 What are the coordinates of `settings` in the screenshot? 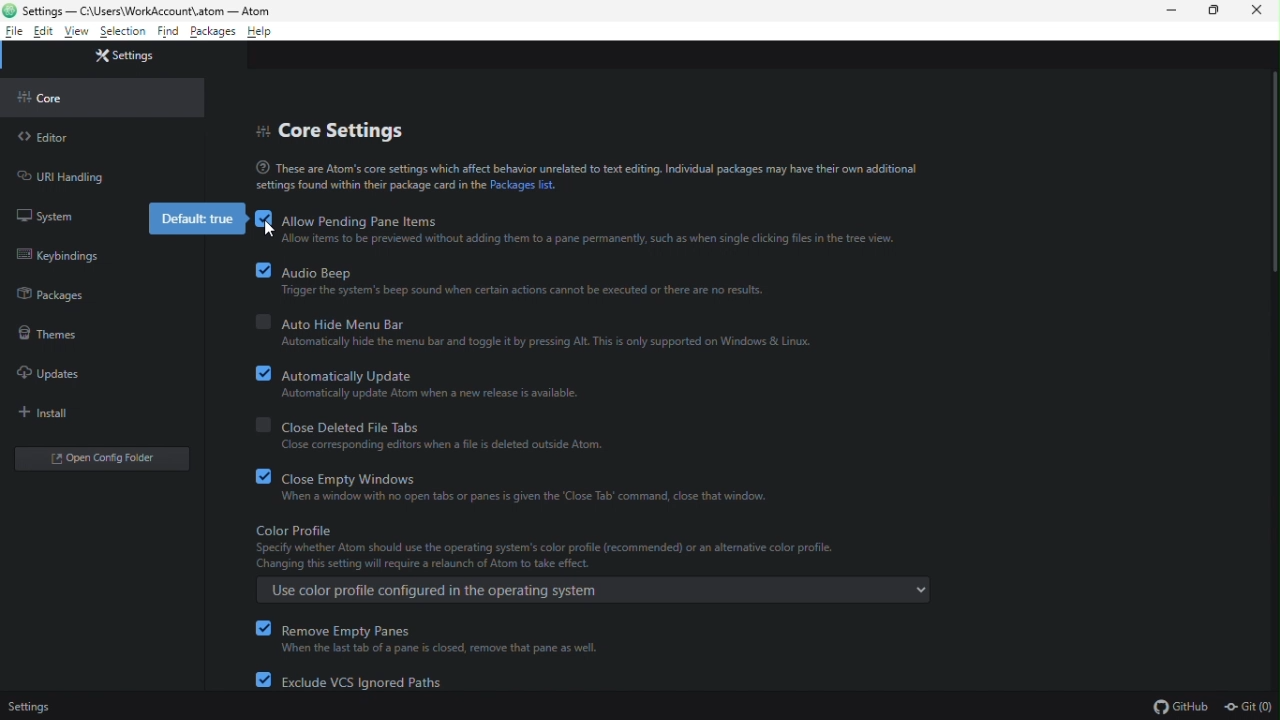 It's located at (132, 57).